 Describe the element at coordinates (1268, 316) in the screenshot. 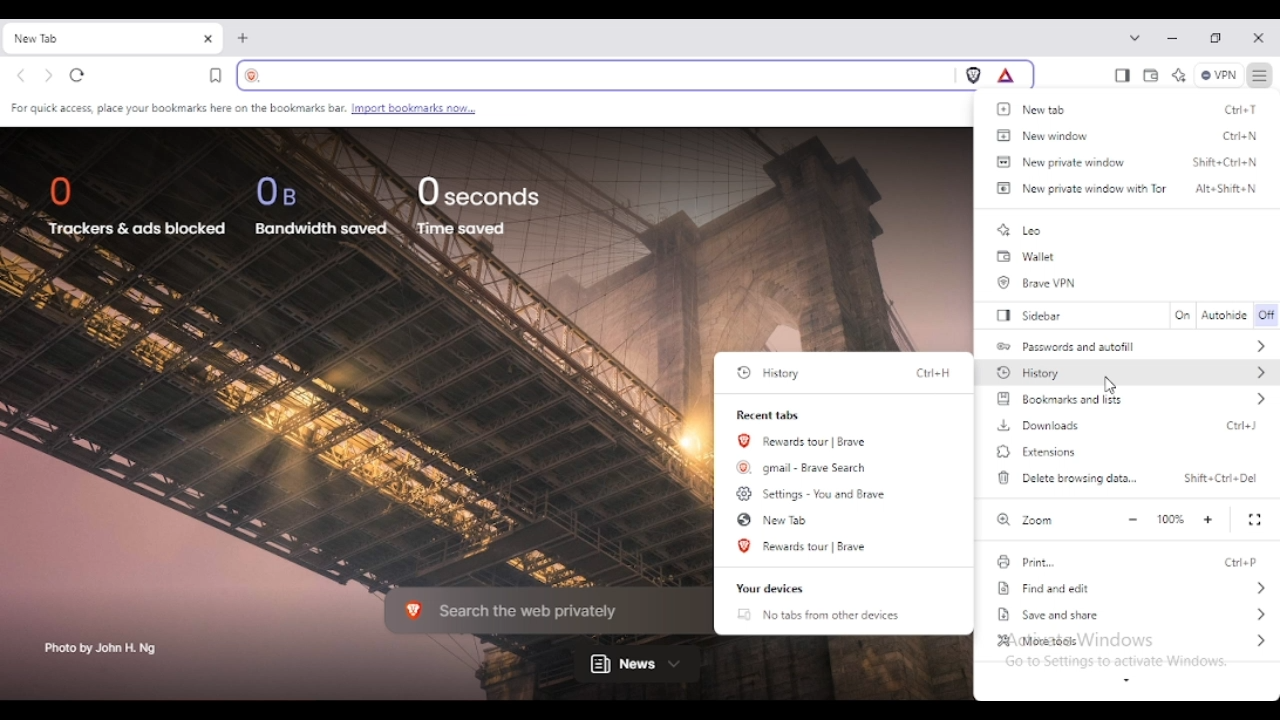

I see `off` at that location.